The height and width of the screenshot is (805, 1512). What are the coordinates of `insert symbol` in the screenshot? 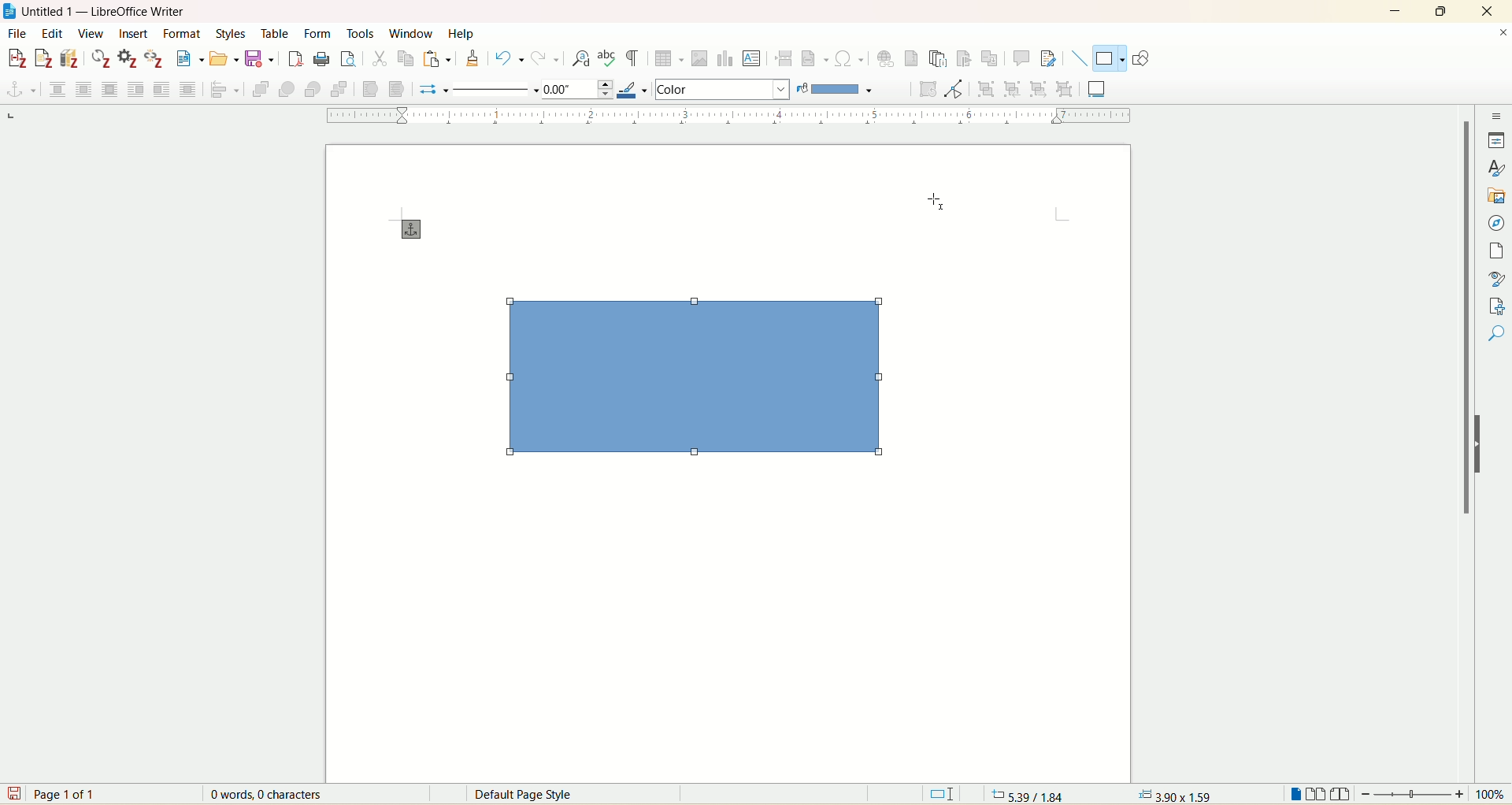 It's located at (849, 58).